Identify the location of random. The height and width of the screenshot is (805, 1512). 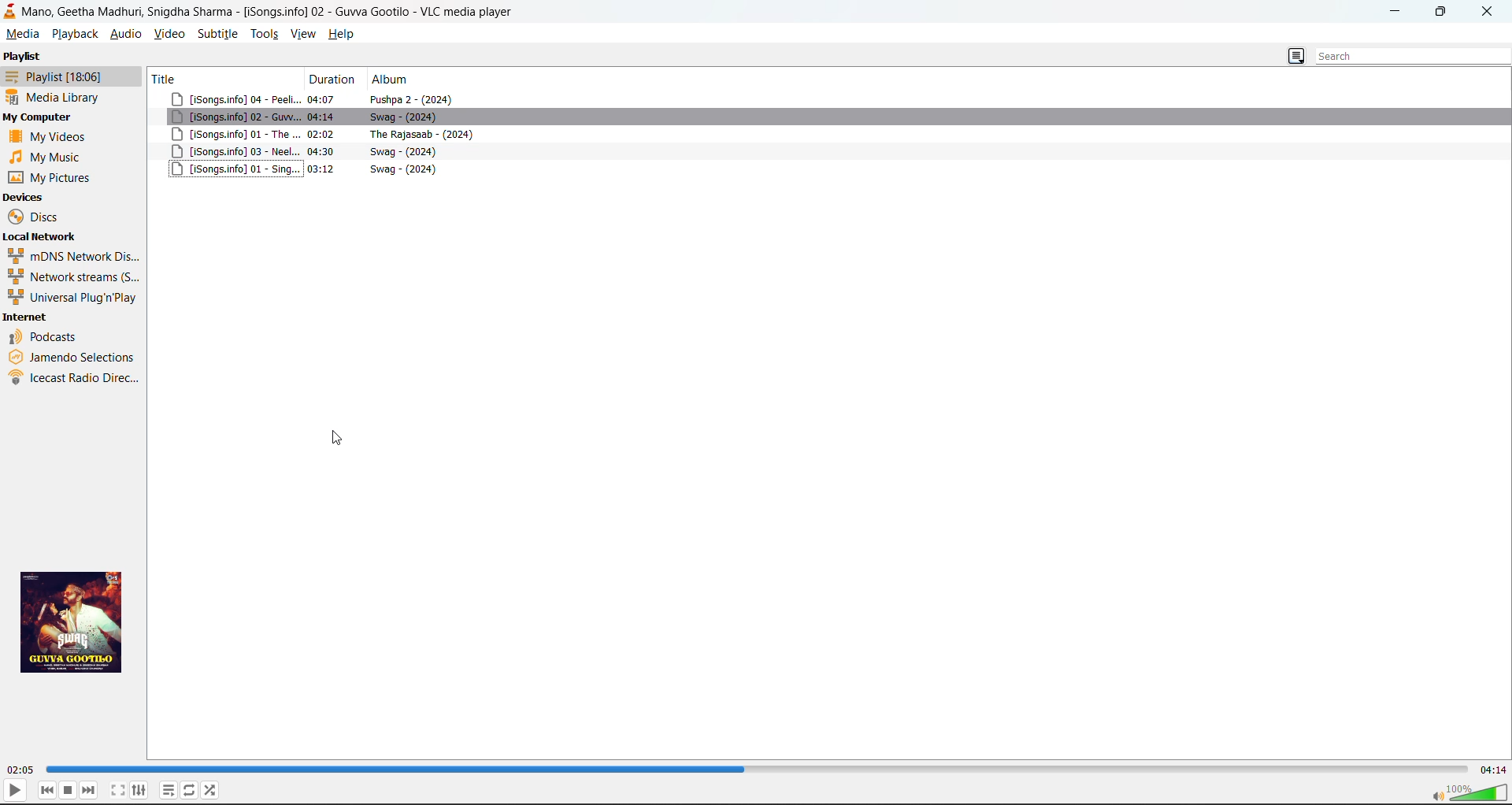
(211, 789).